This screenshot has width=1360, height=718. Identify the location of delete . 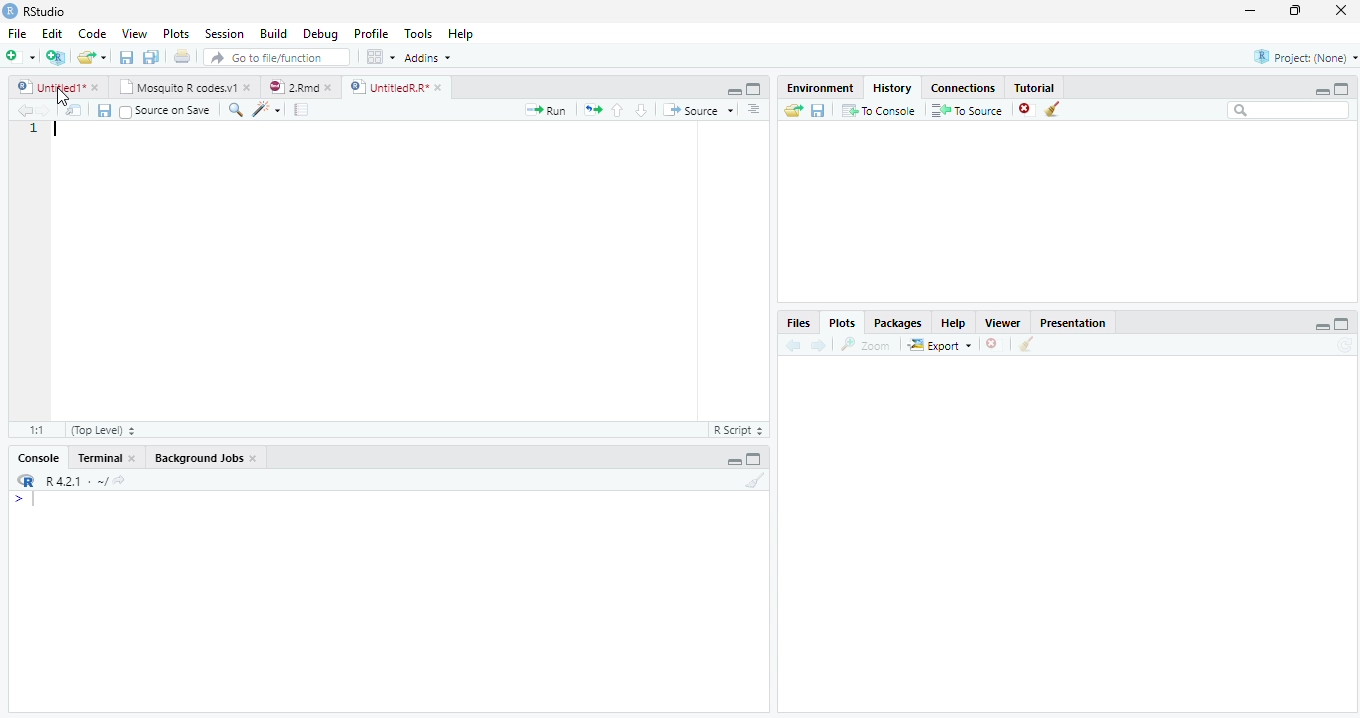
(994, 343).